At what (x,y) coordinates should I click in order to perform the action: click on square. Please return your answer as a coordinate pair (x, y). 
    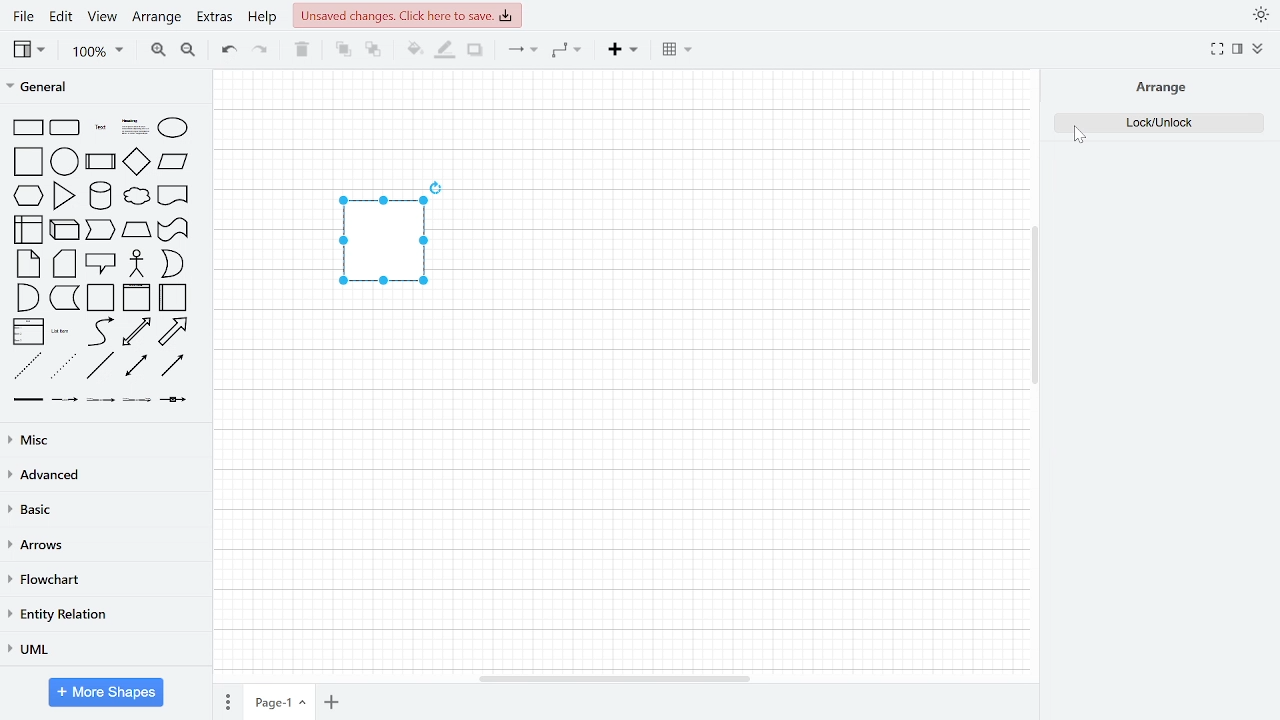
    Looking at the image, I should click on (27, 161).